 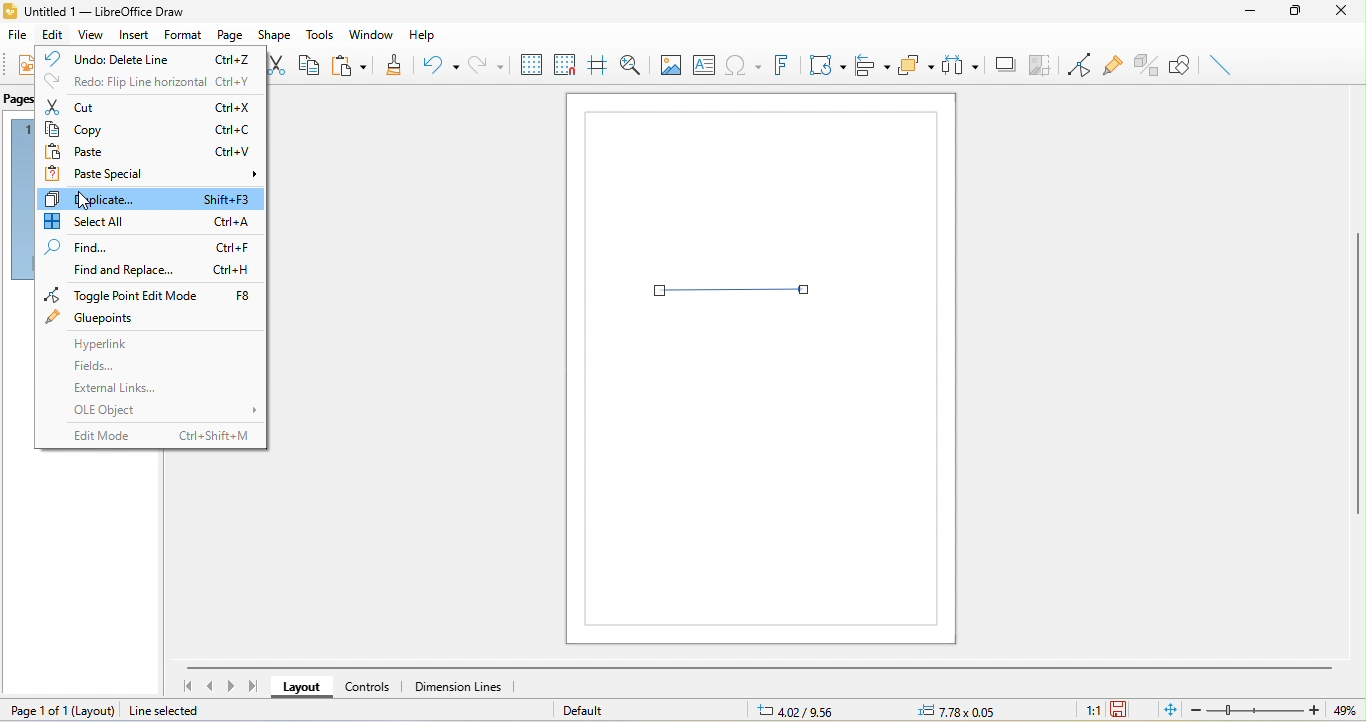 What do you see at coordinates (1269, 710) in the screenshot?
I see `zoom` at bounding box center [1269, 710].